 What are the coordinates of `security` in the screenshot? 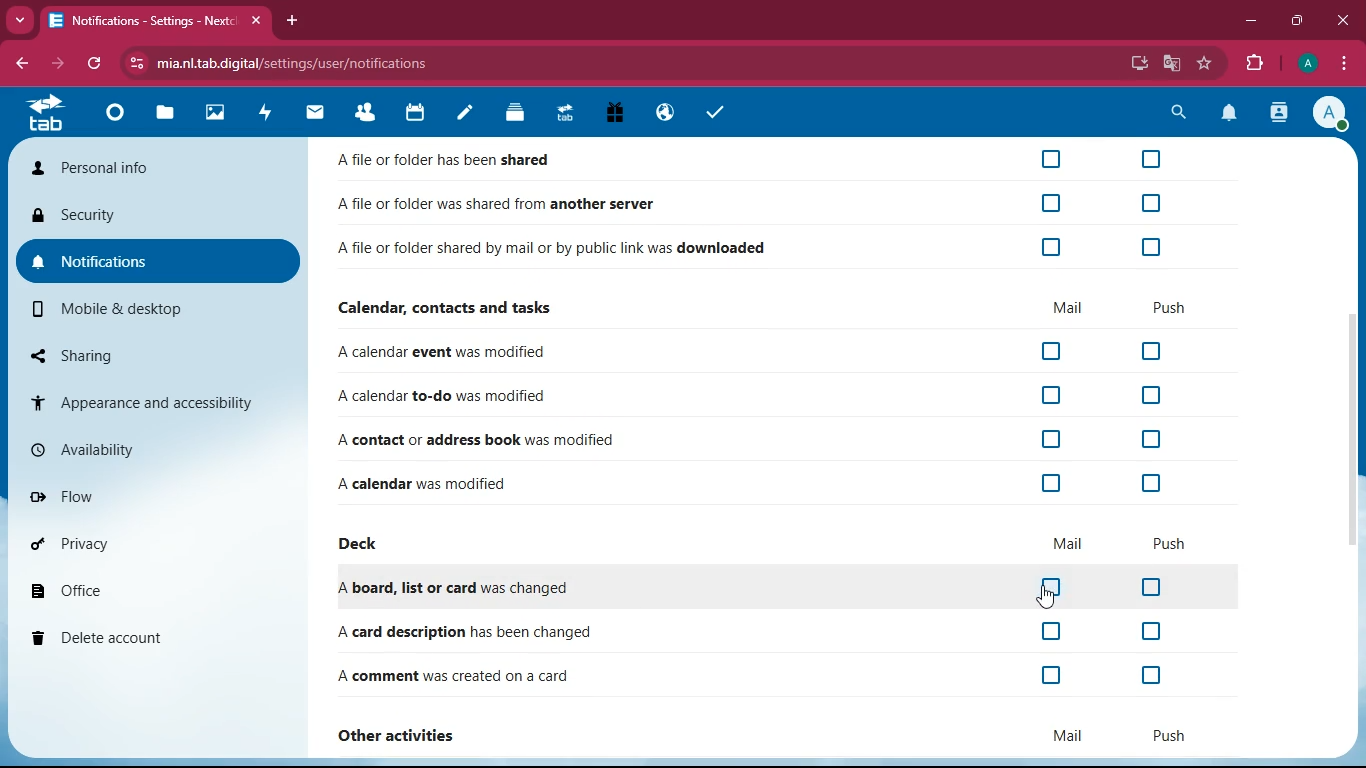 It's located at (155, 216).